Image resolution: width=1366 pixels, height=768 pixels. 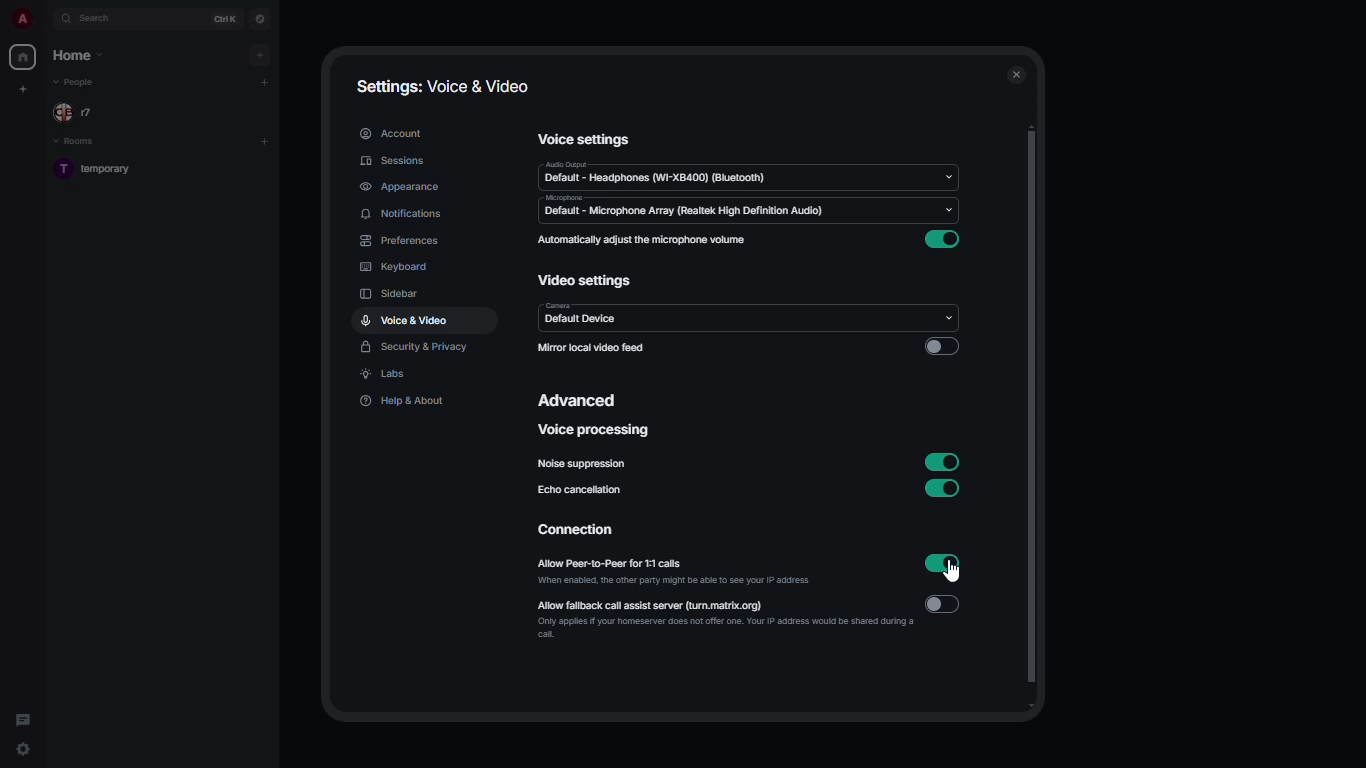 What do you see at coordinates (958, 575) in the screenshot?
I see `cursor` at bounding box center [958, 575].